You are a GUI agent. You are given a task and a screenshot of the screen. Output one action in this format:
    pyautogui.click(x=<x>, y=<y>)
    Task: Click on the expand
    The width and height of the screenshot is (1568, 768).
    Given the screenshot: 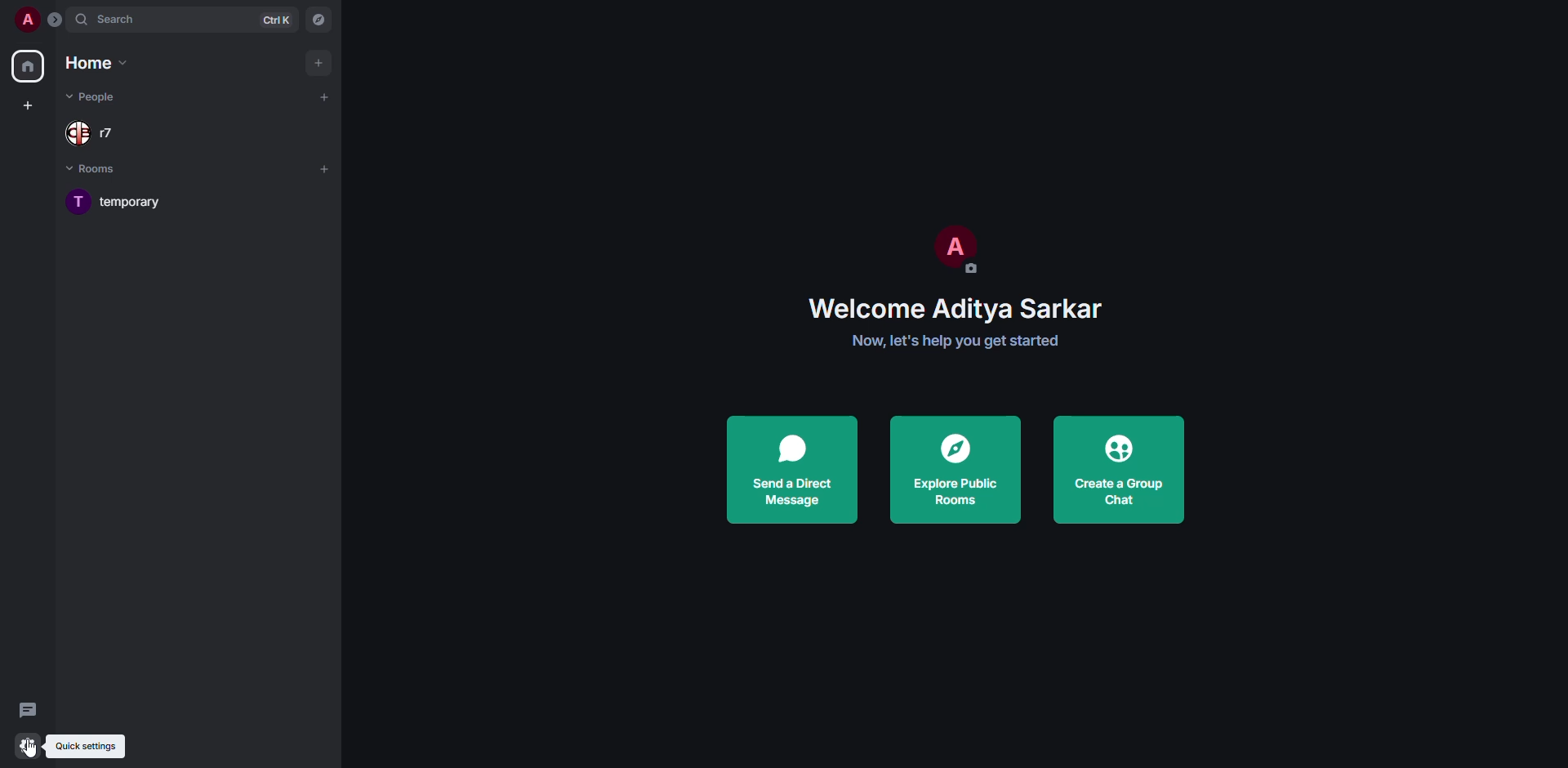 What is the action you would take?
    pyautogui.click(x=55, y=19)
    